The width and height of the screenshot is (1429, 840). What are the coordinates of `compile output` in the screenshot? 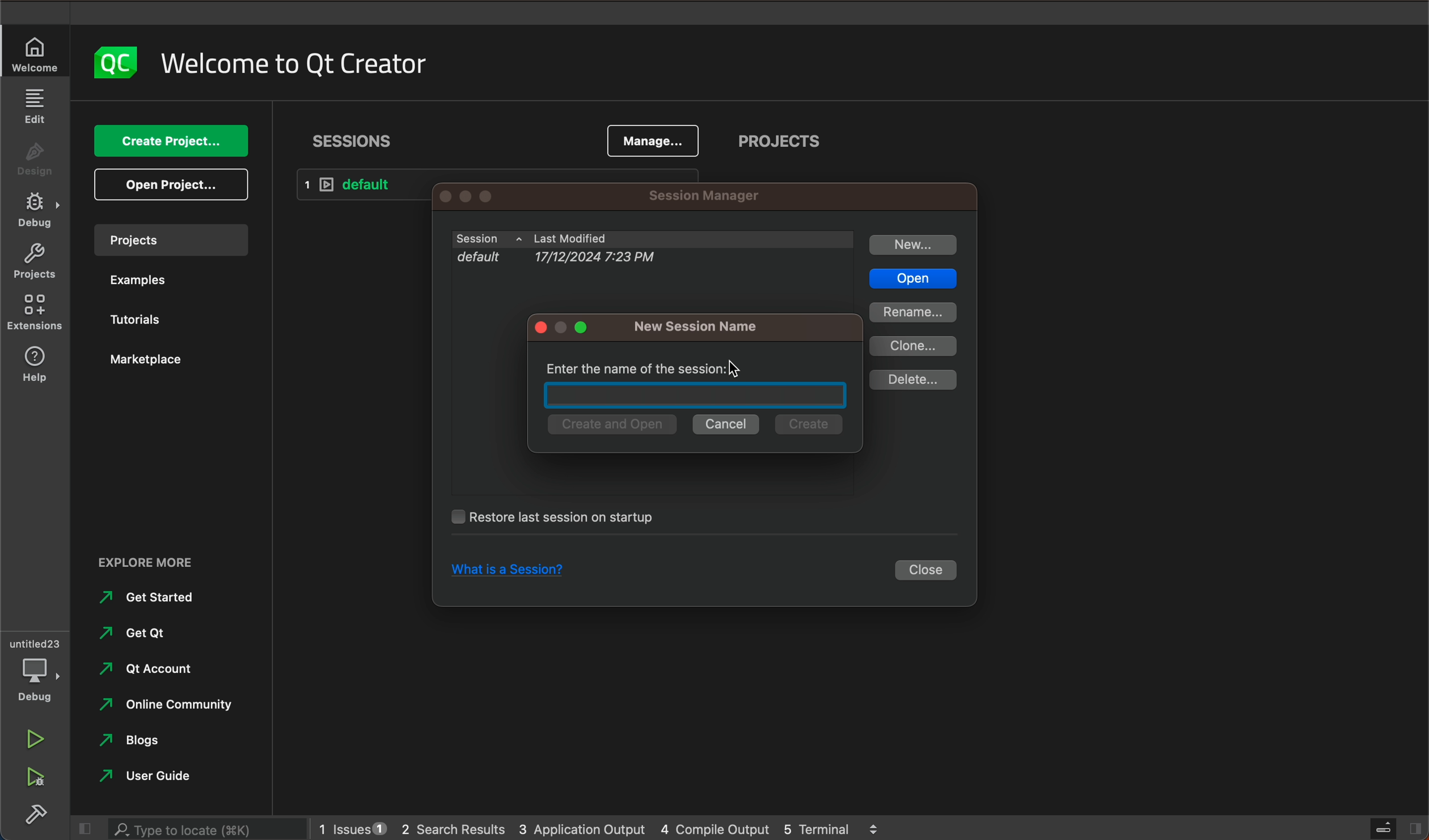 It's located at (715, 827).